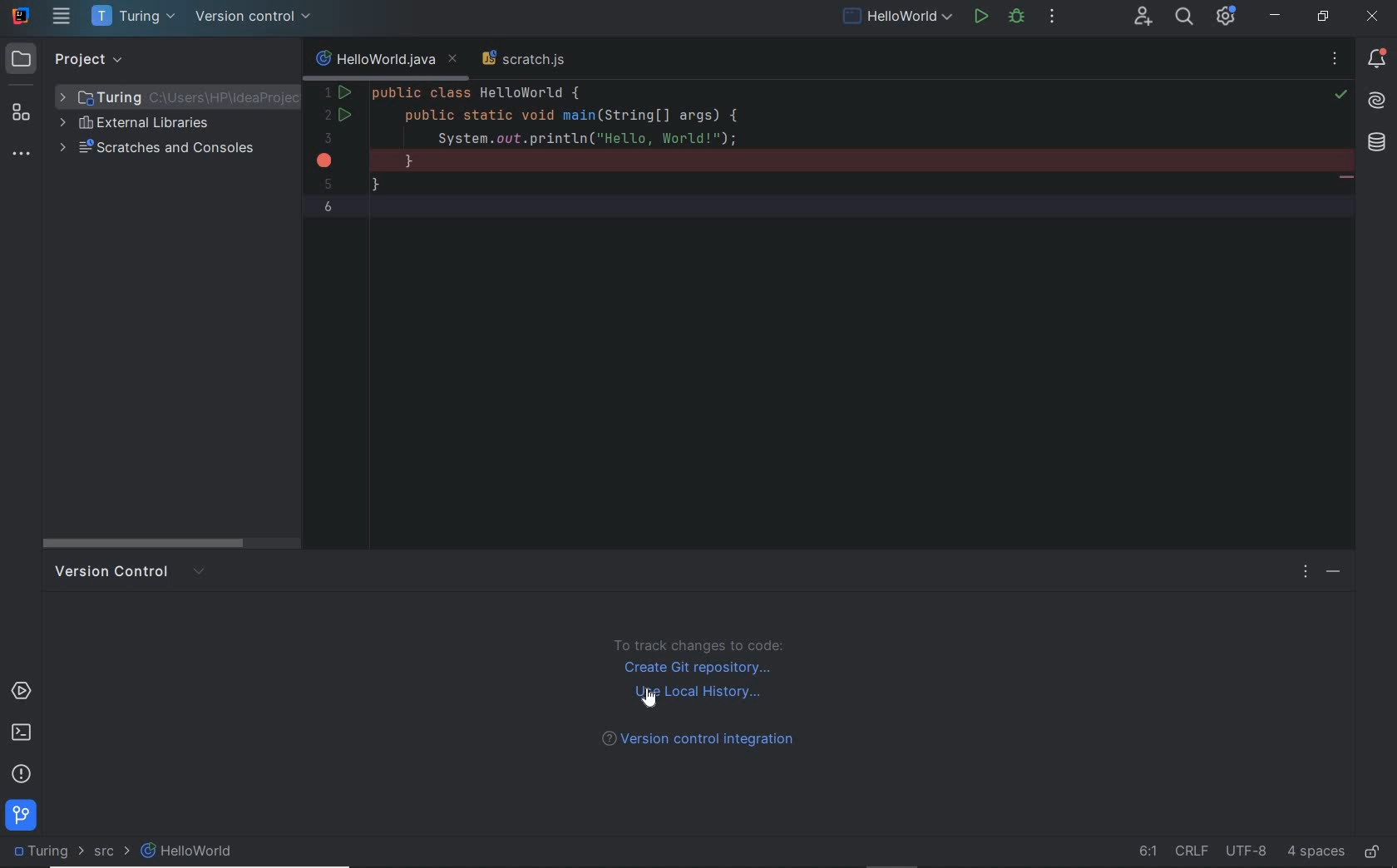 This screenshot has width=1397, height=868. I want to click on close tab, so click(453, 60).